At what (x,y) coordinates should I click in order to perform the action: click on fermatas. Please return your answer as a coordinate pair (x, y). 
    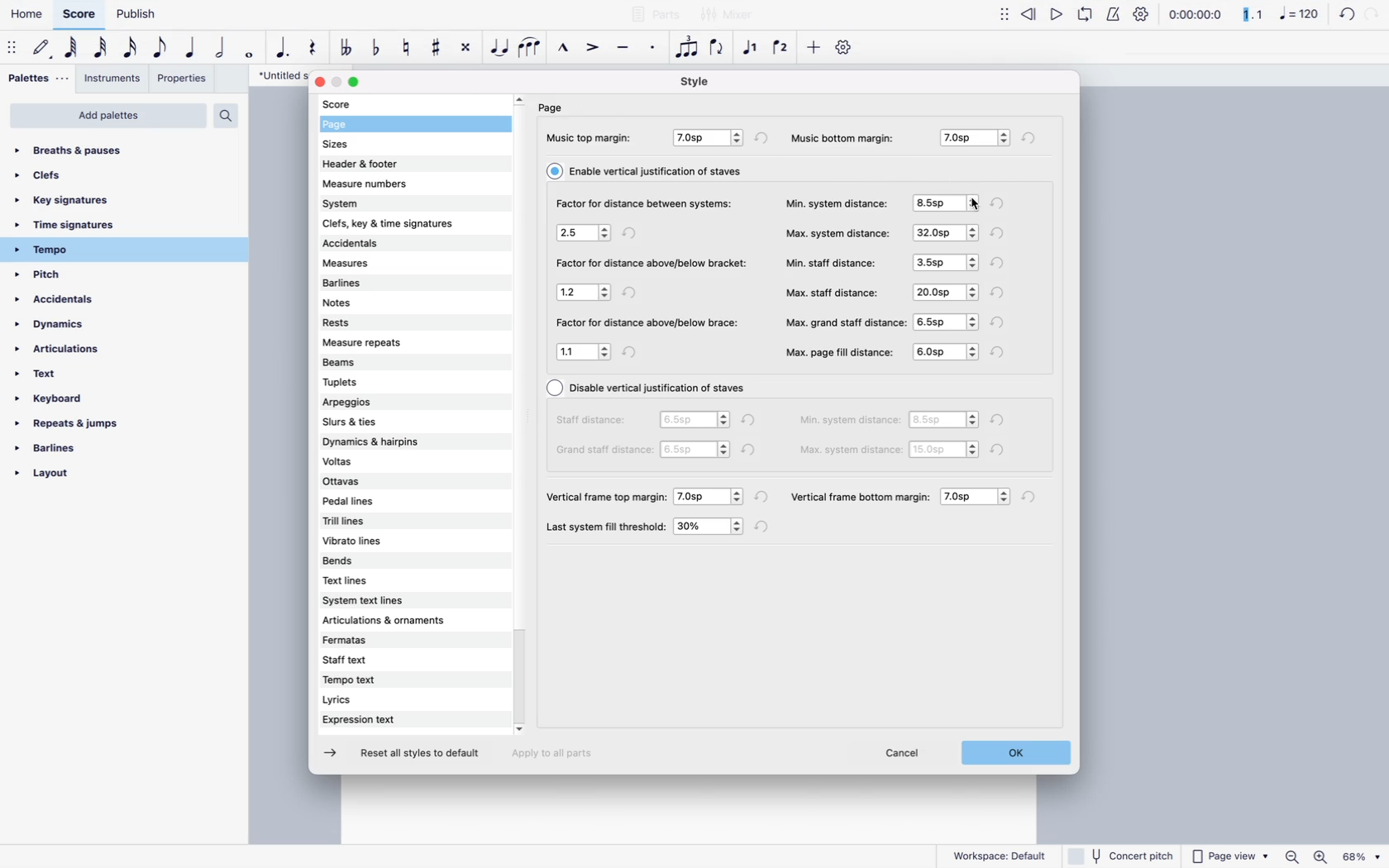
    Looking at the image, I should click on (391, 641).